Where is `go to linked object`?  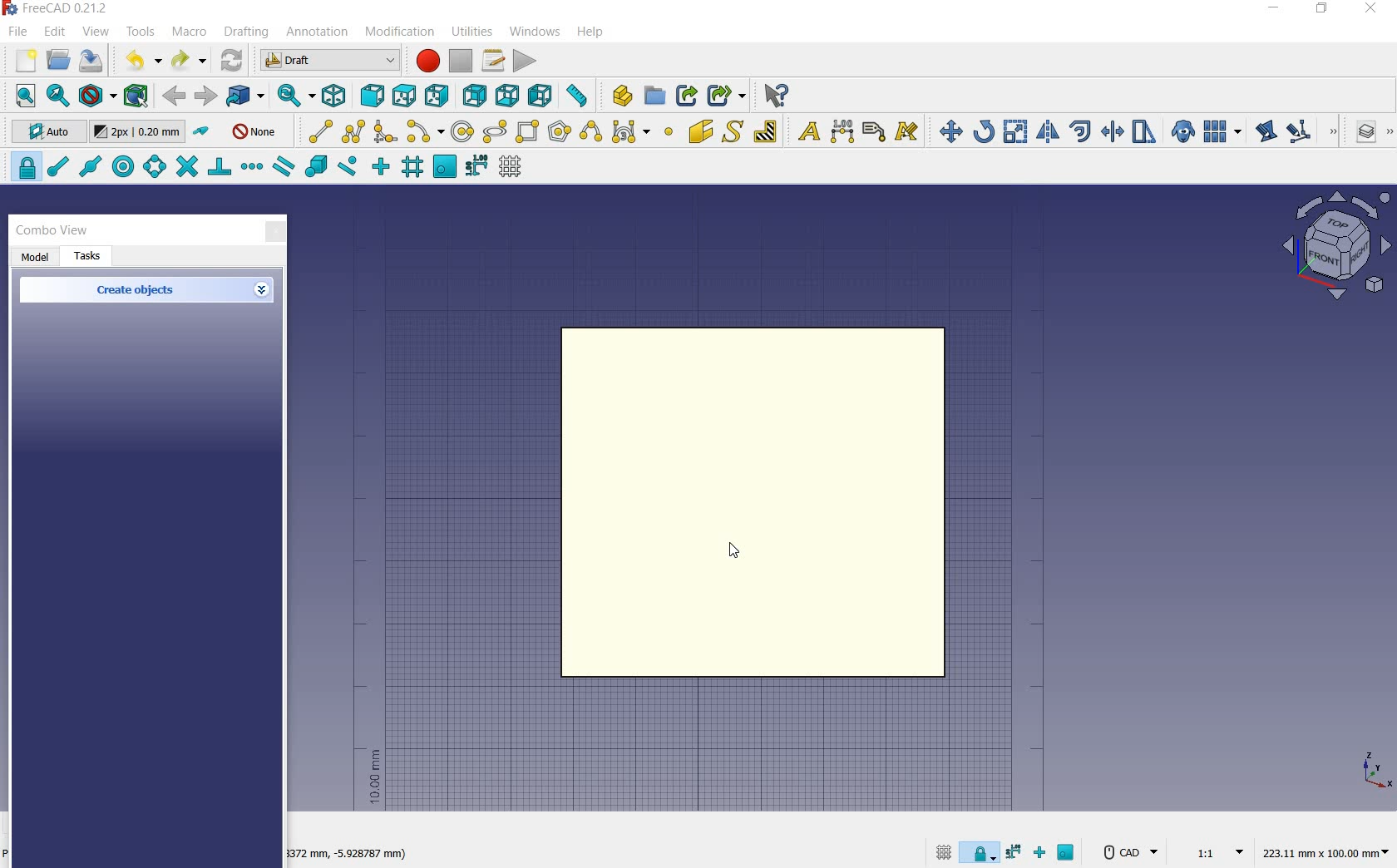 go to linked object is located at coordinates (246, 96).